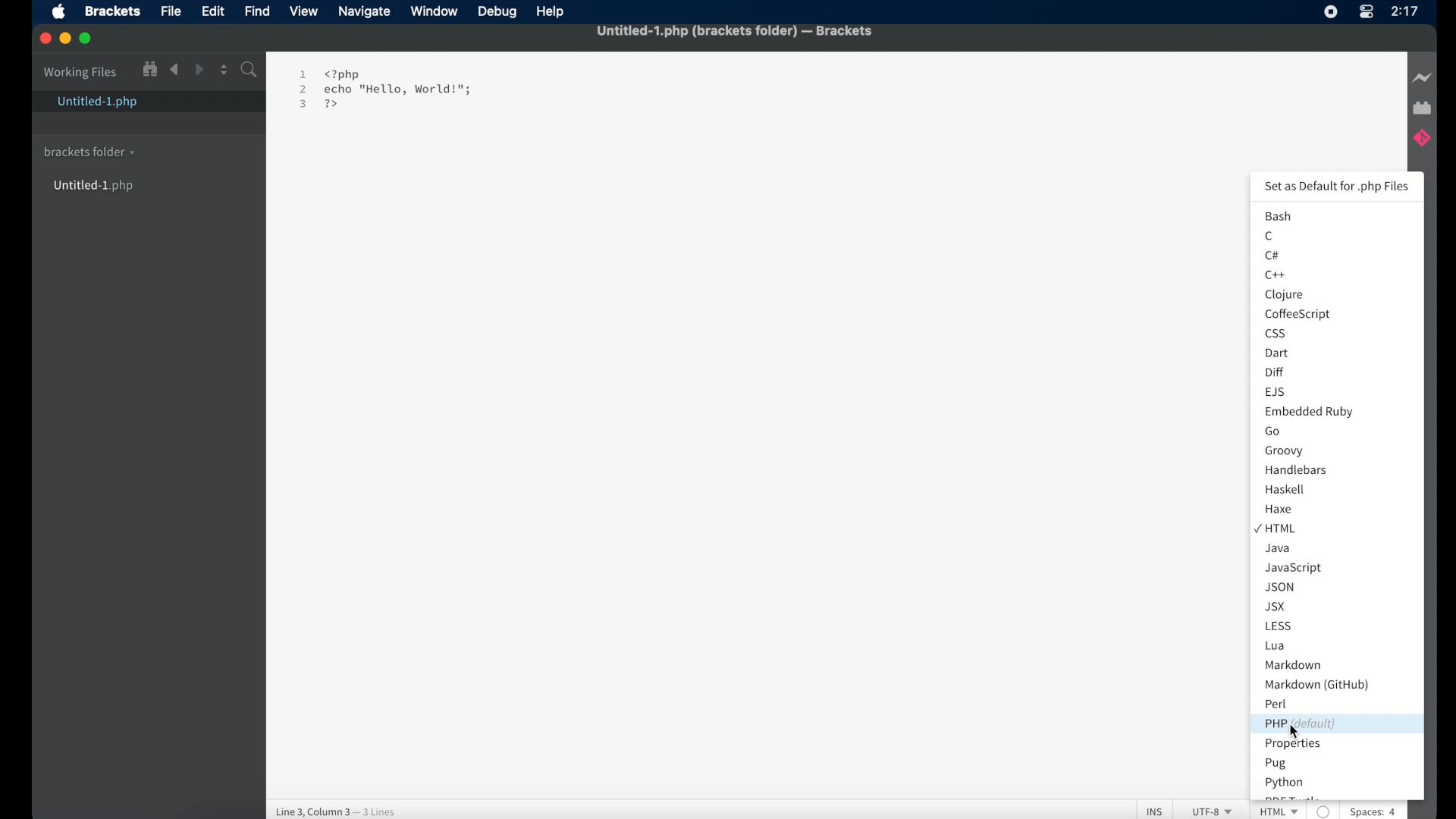  I want to click on working files, so click(81, 74).